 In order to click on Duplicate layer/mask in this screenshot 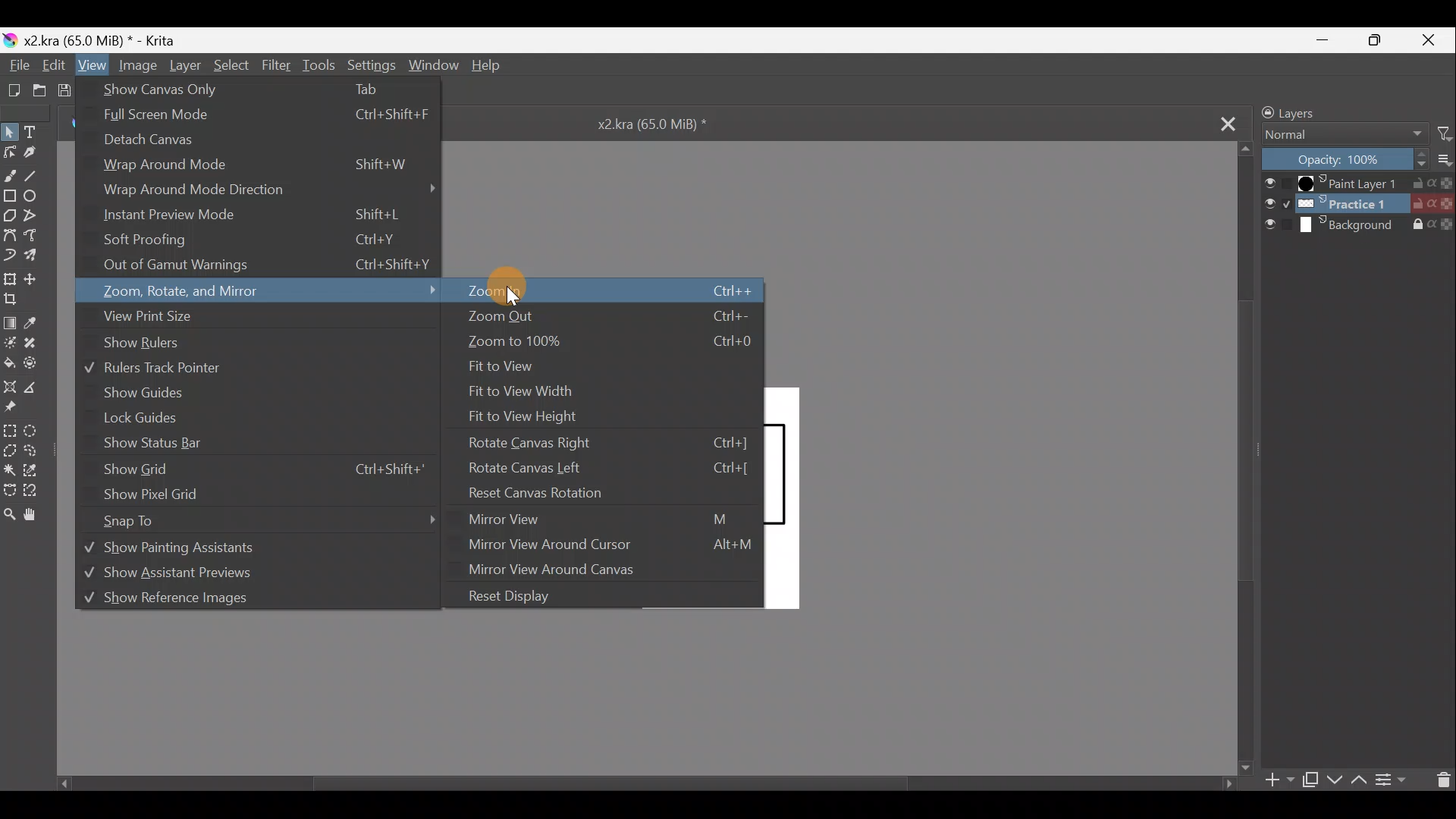, I will do `click(1312, 783)`.